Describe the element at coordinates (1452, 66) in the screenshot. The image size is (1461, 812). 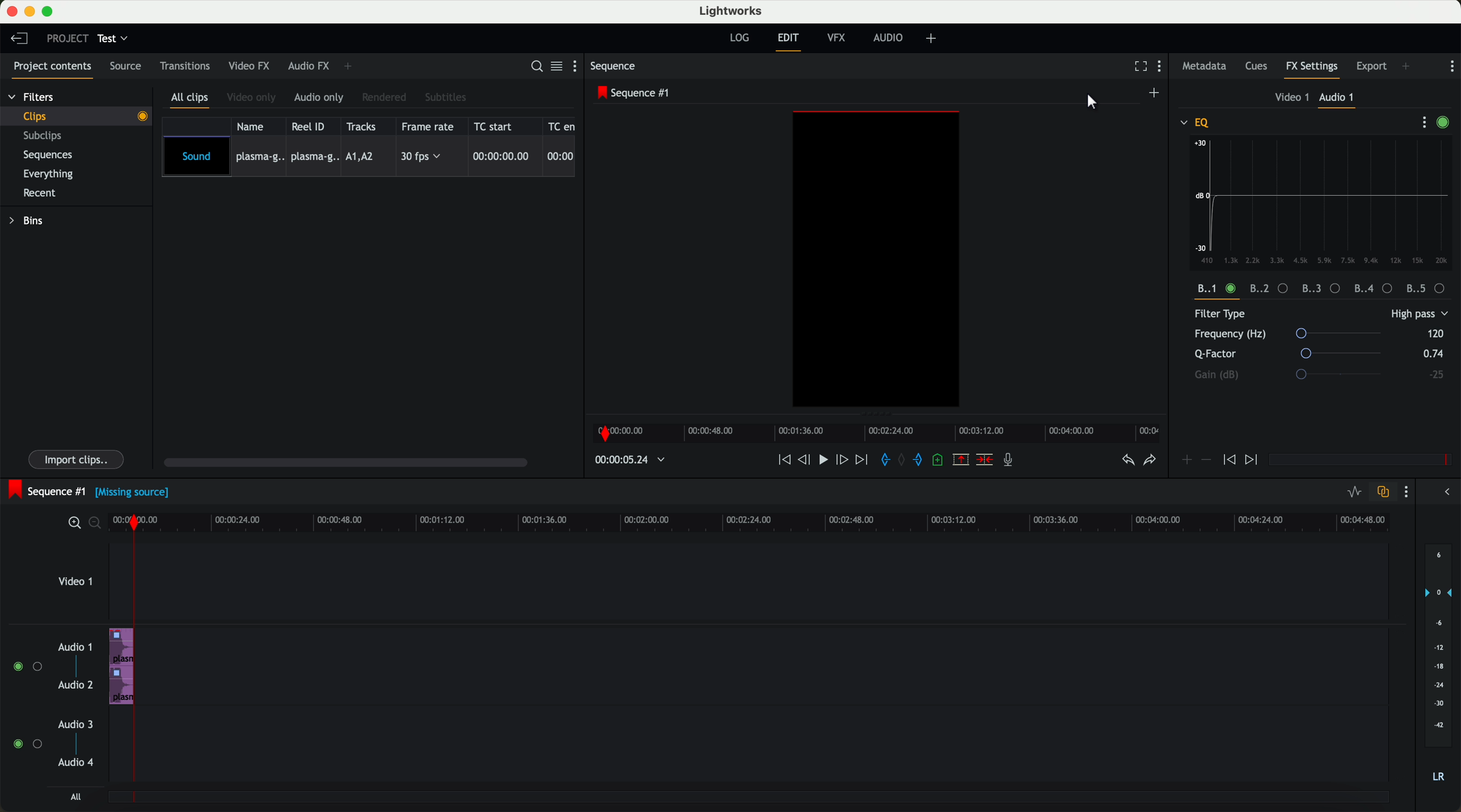
I see `show settings menu` at that location.